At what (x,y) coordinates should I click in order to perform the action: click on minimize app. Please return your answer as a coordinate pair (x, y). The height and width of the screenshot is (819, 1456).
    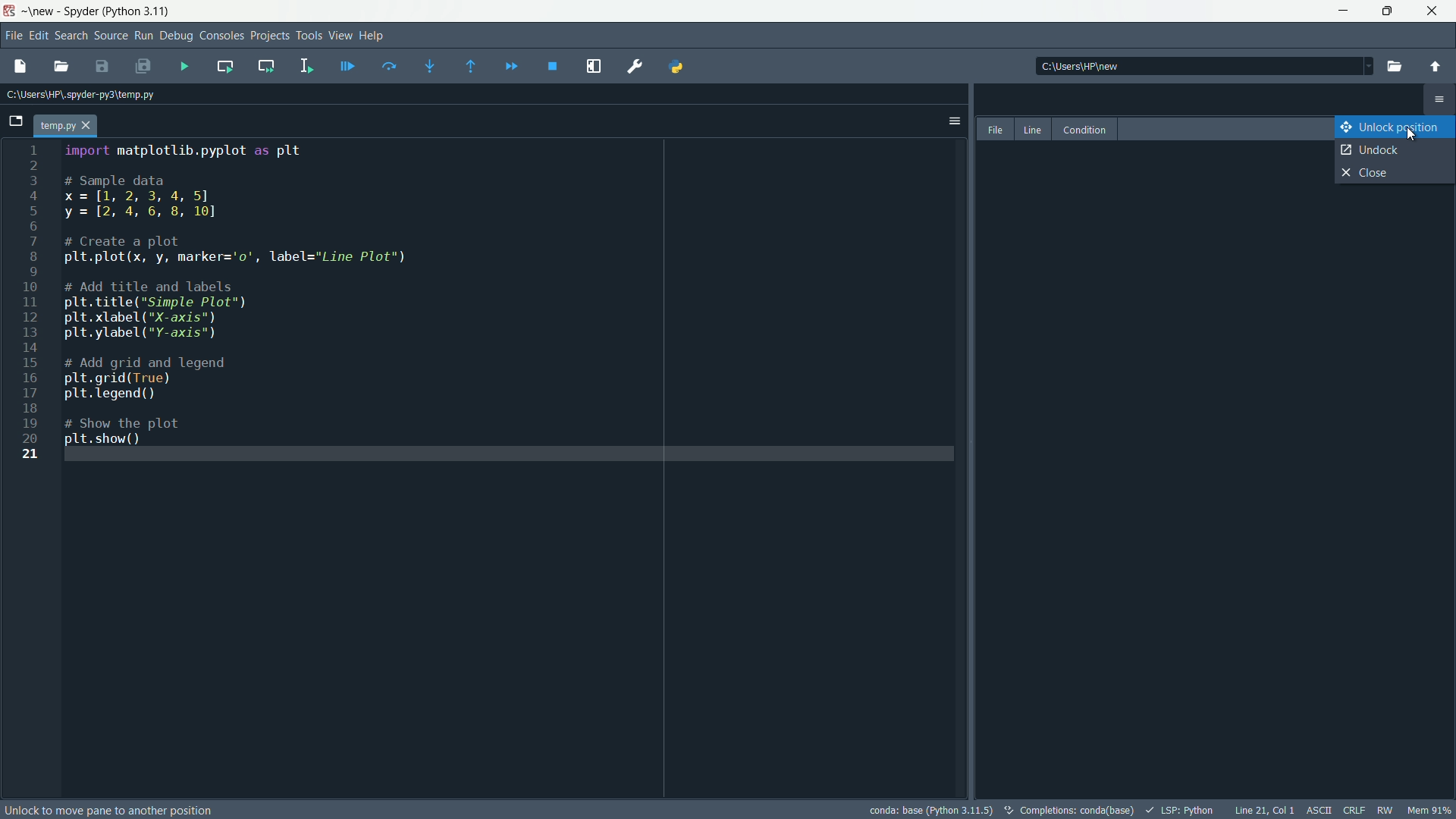
    Looking at the image, I should click on (1341, 11).